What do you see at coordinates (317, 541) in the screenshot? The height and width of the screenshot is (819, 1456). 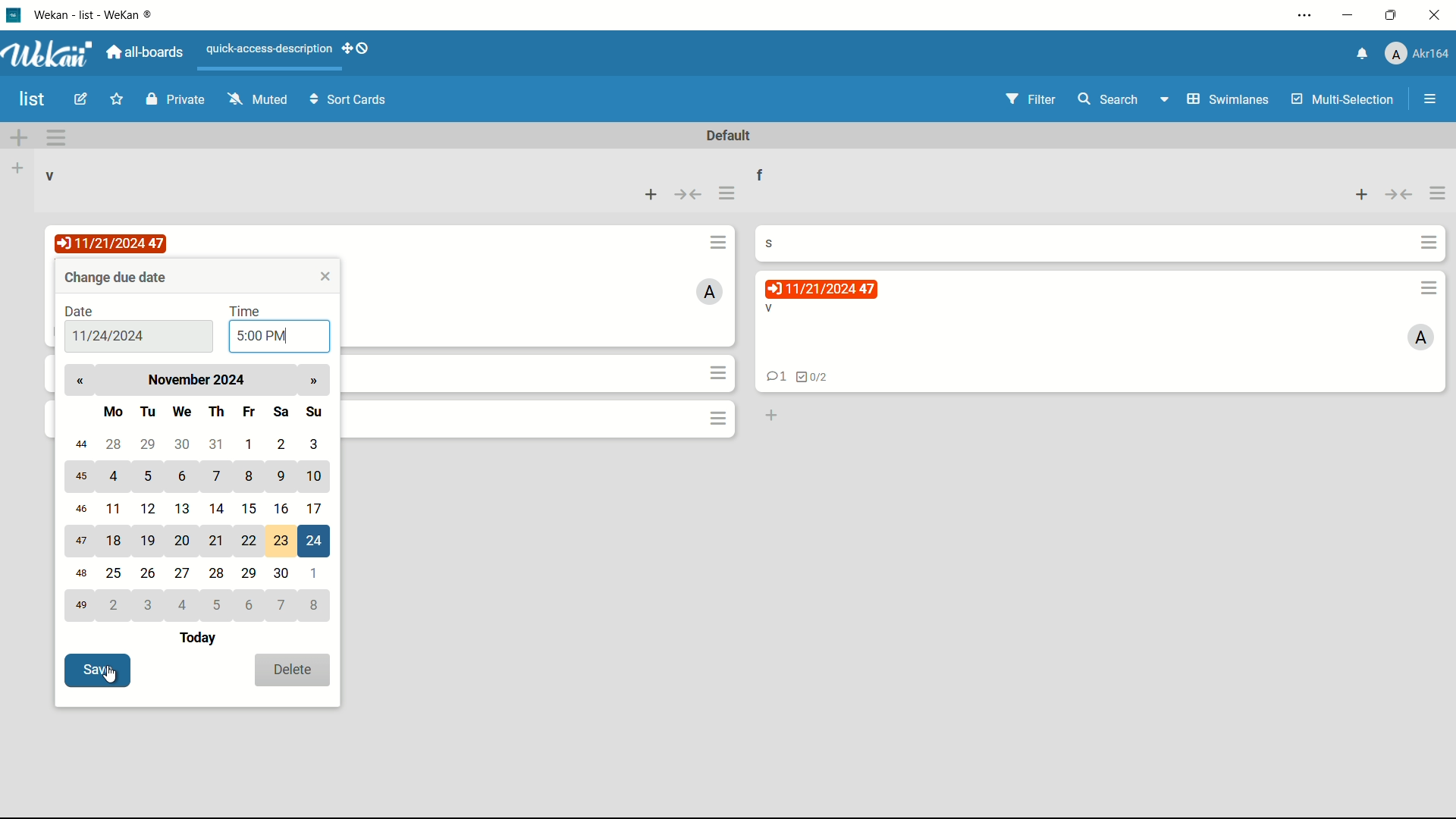 I see `24` at bounding box center [317, 541].